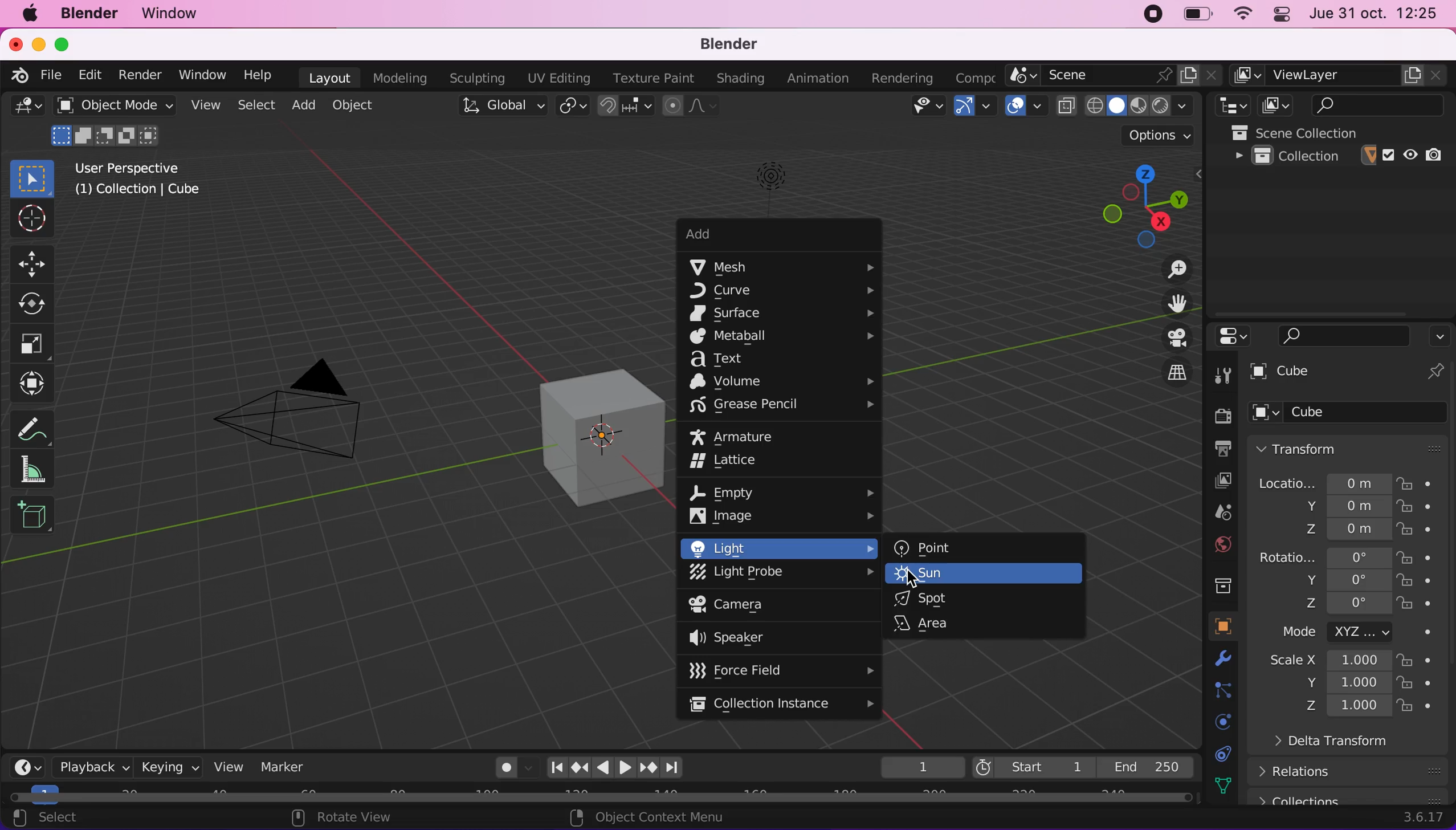  What do you see at coordinates (1220, 753) in the screenshot?
I see `constraints` at bounding box center [1220, 753].